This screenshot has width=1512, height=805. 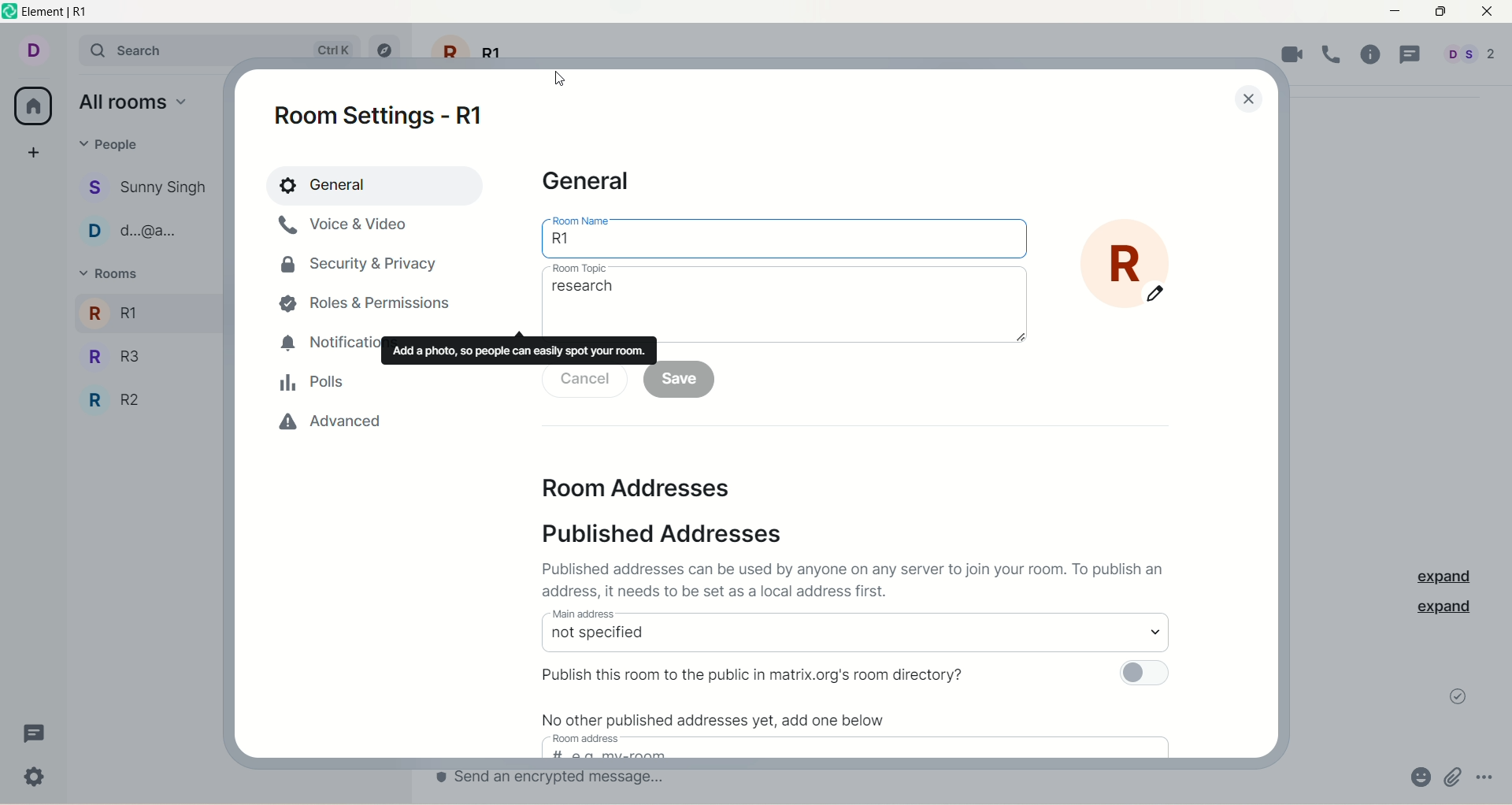 What do you see at coordinates (358, 263) in the screenshot?
I see `security and privacy` at bounding box center [358, 263].